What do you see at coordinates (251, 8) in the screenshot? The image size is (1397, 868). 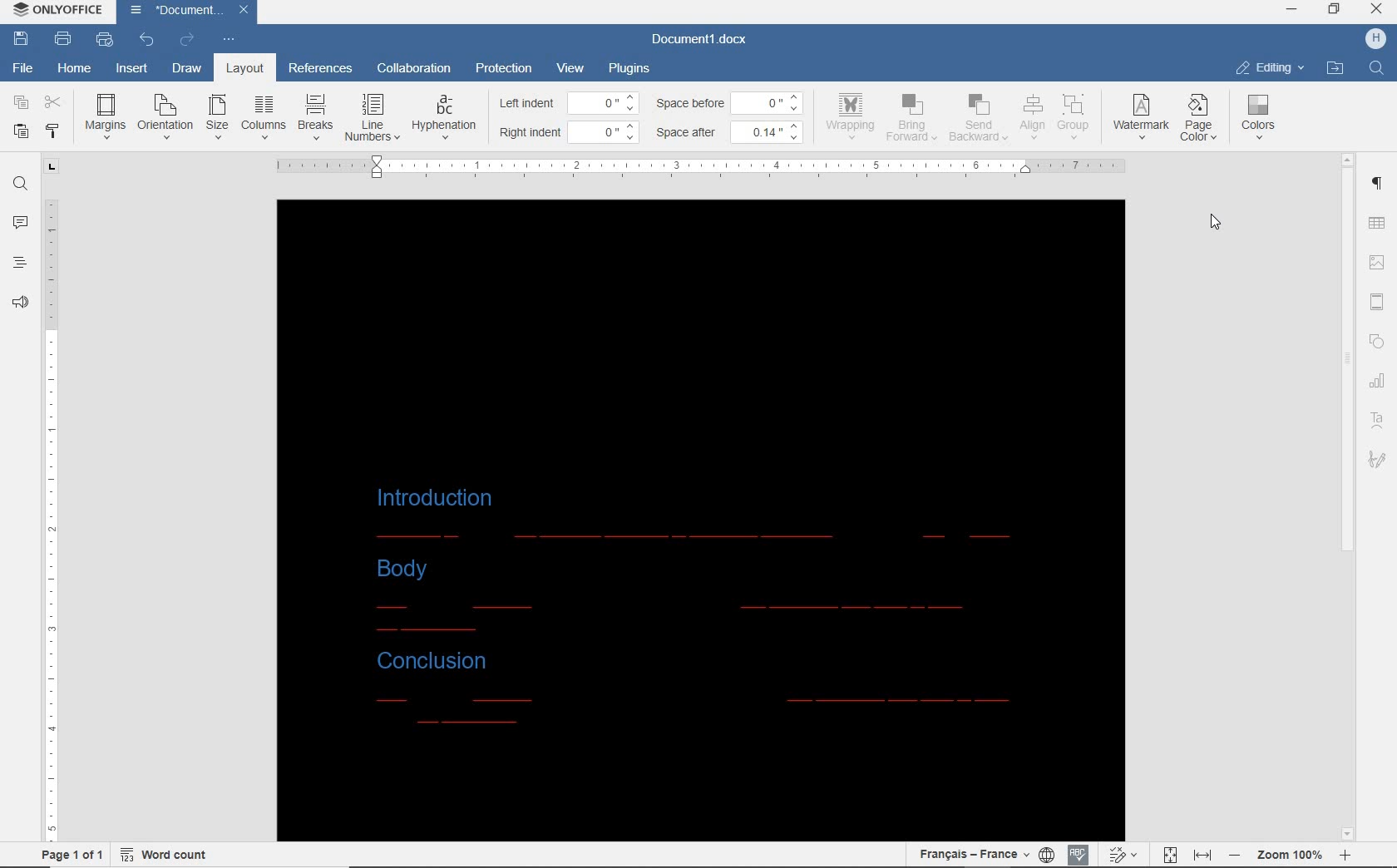 I see `close` at bounding box center [251, 8].